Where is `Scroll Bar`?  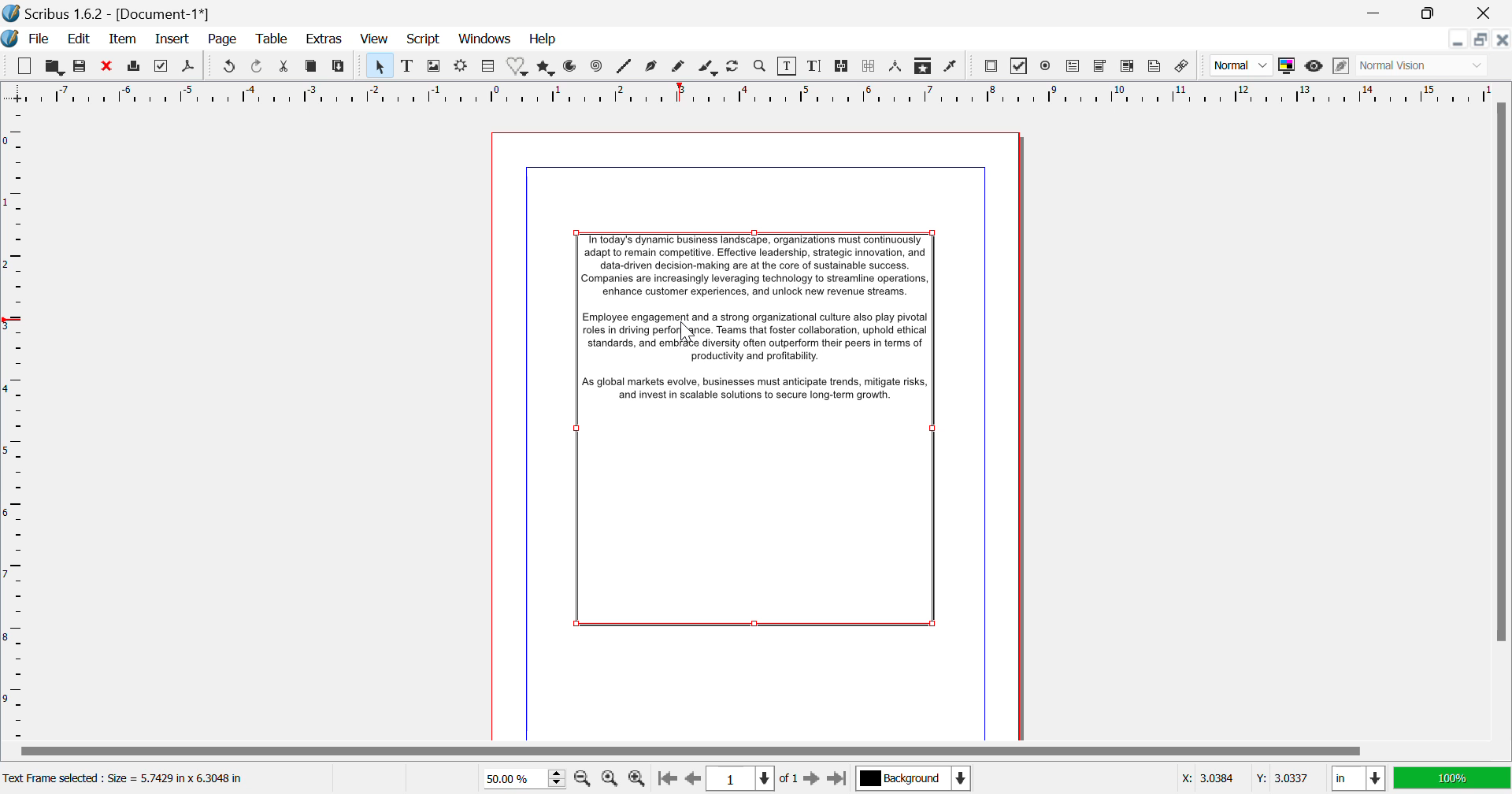
Scroll Bar is located at coordinates (1499, 418).